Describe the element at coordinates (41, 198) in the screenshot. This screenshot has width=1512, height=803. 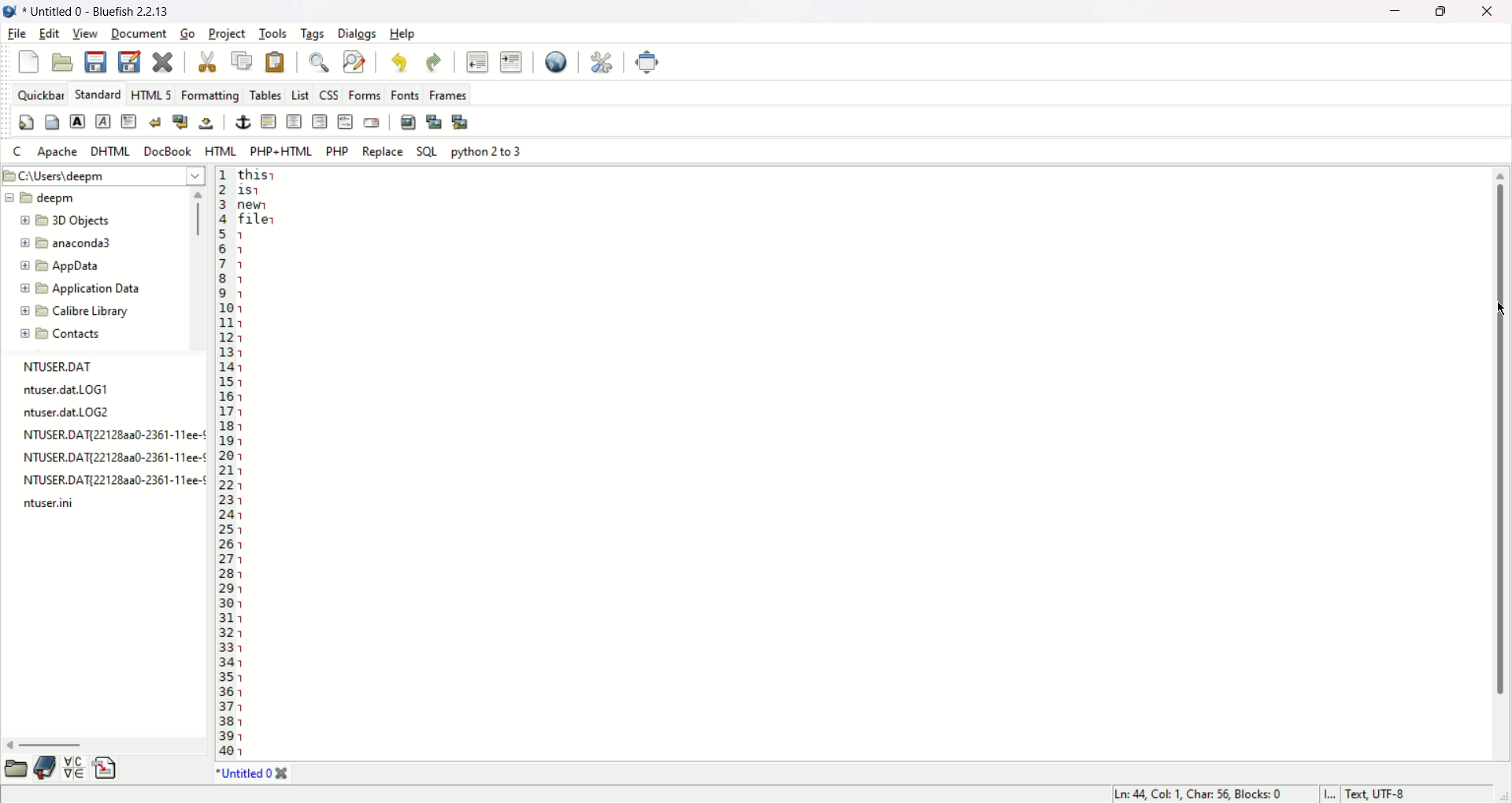
I see `Folder name` at that location.